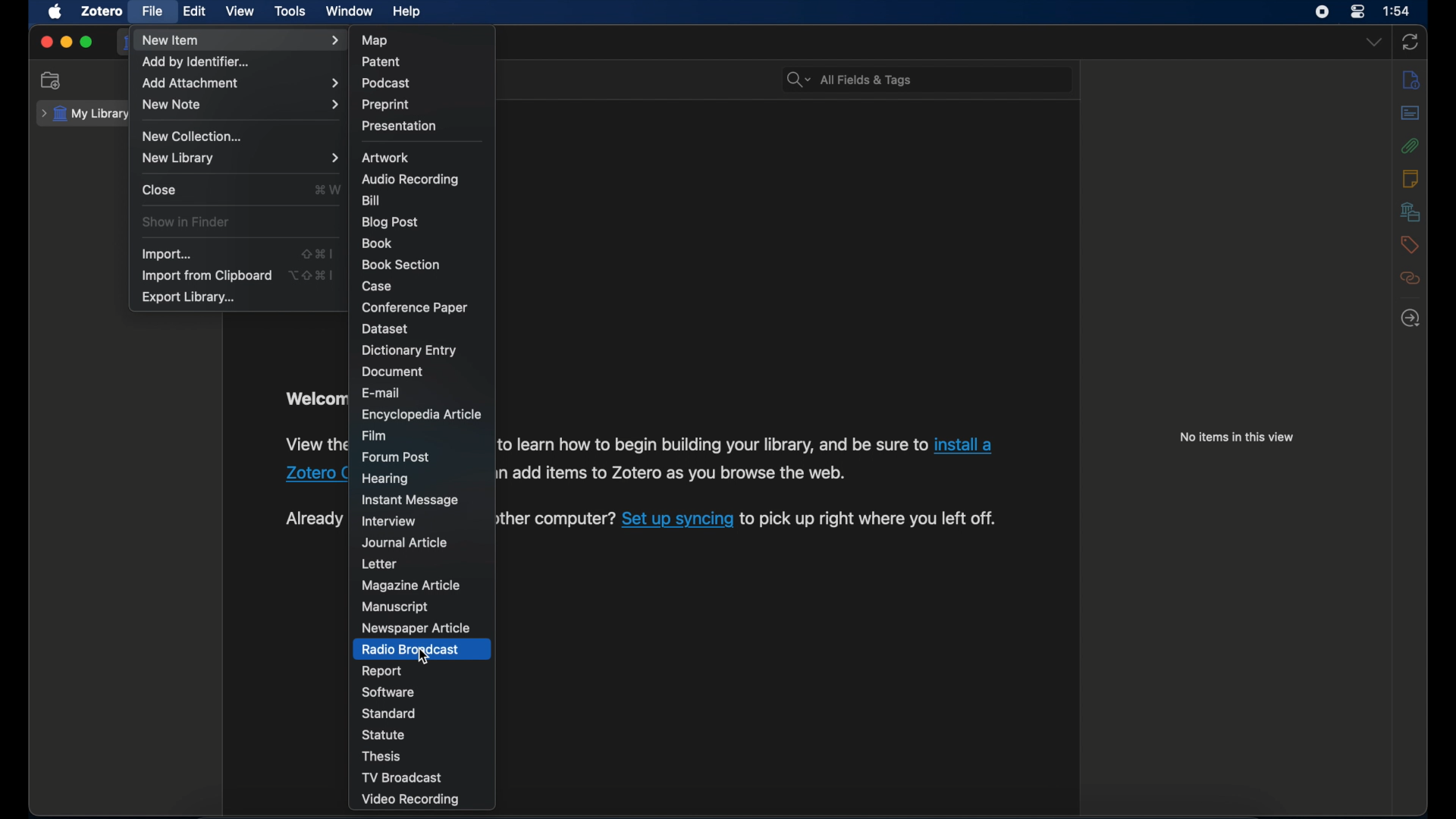 This screenshot has width=1456, height=819. Describe the element at coordinates (391, 222) in the screenshot. I see `blog post` at that location.